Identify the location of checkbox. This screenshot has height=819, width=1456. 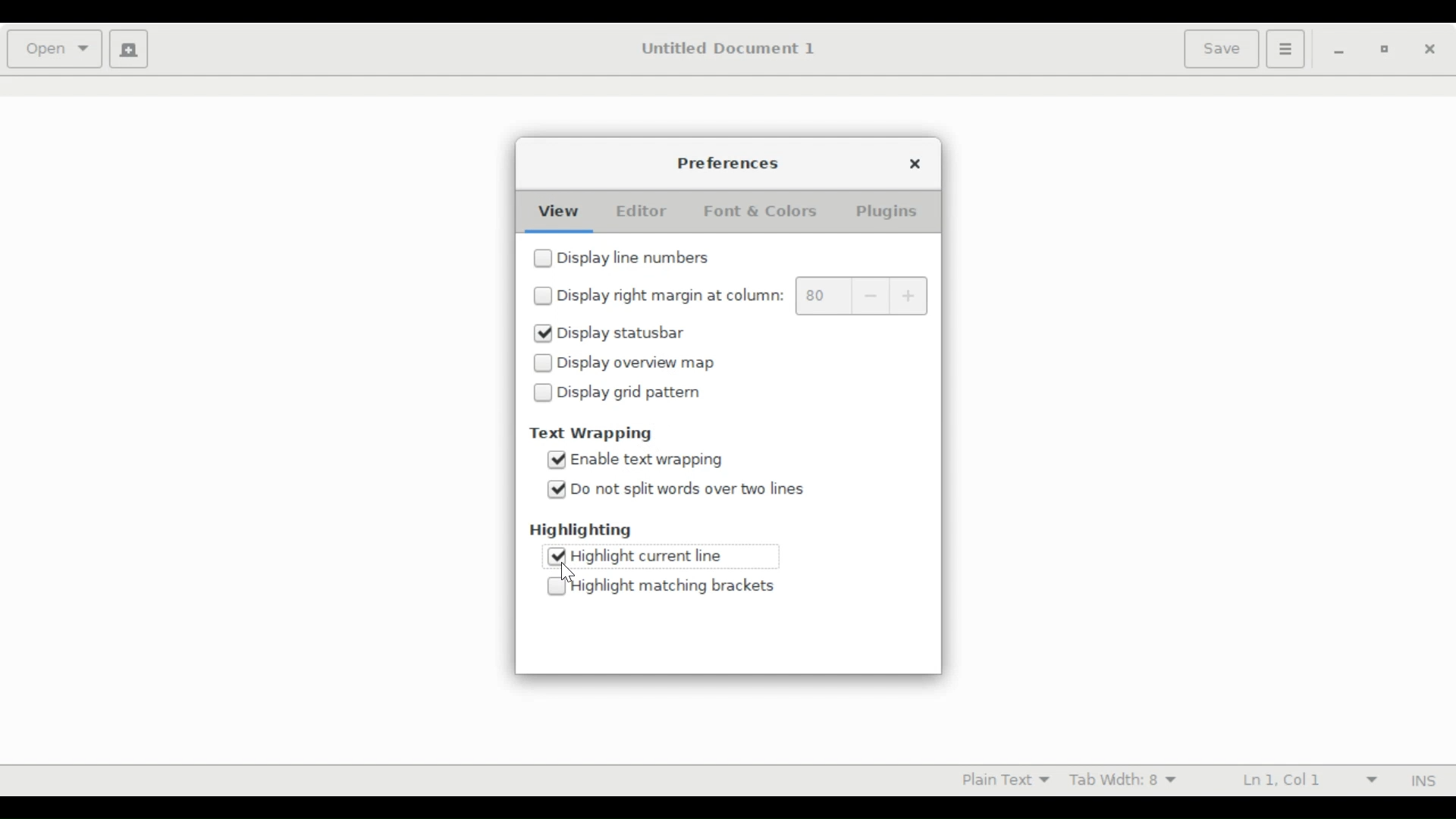
(555, 588).